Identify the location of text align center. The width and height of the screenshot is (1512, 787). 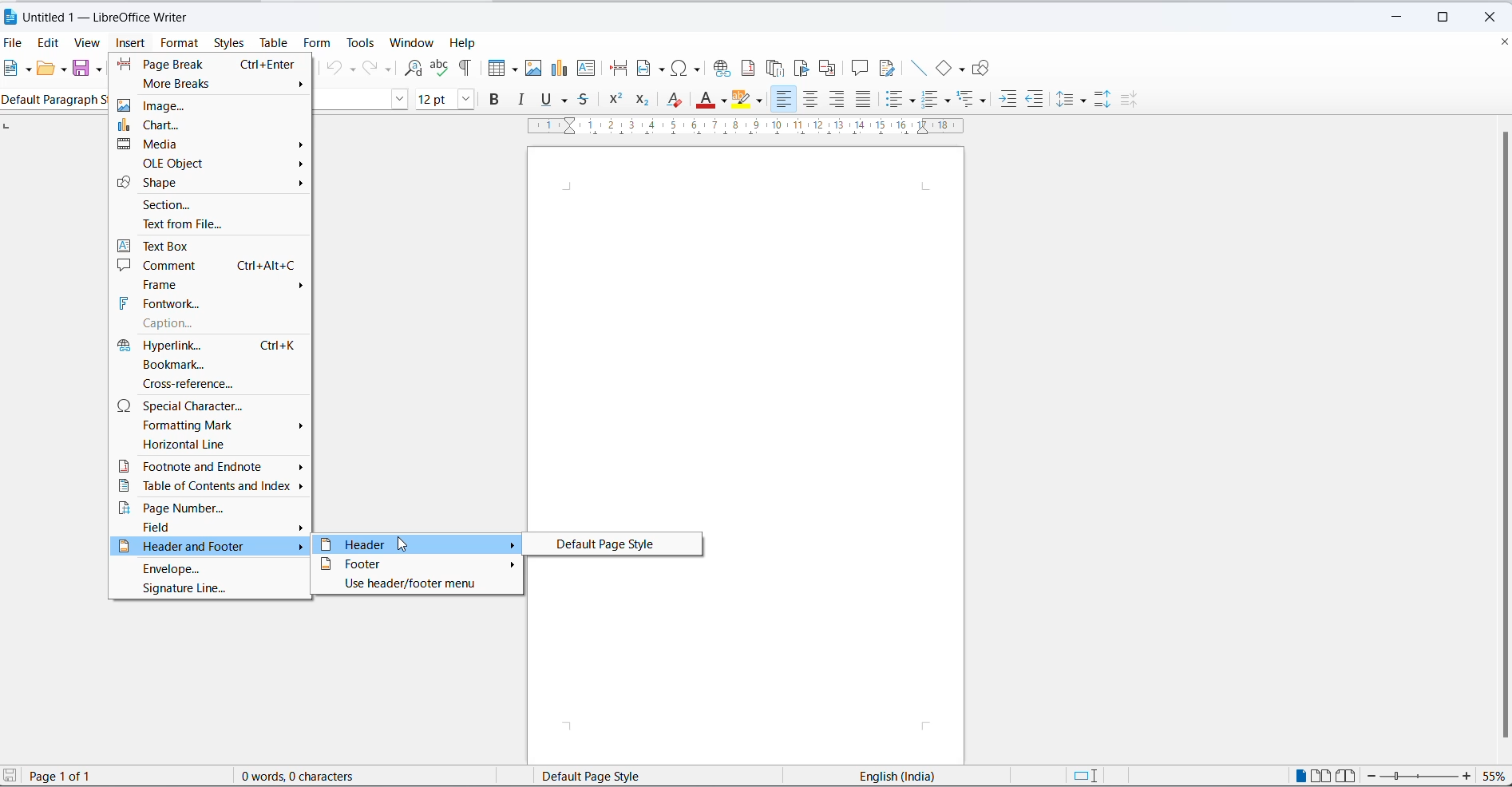
(809, 100).